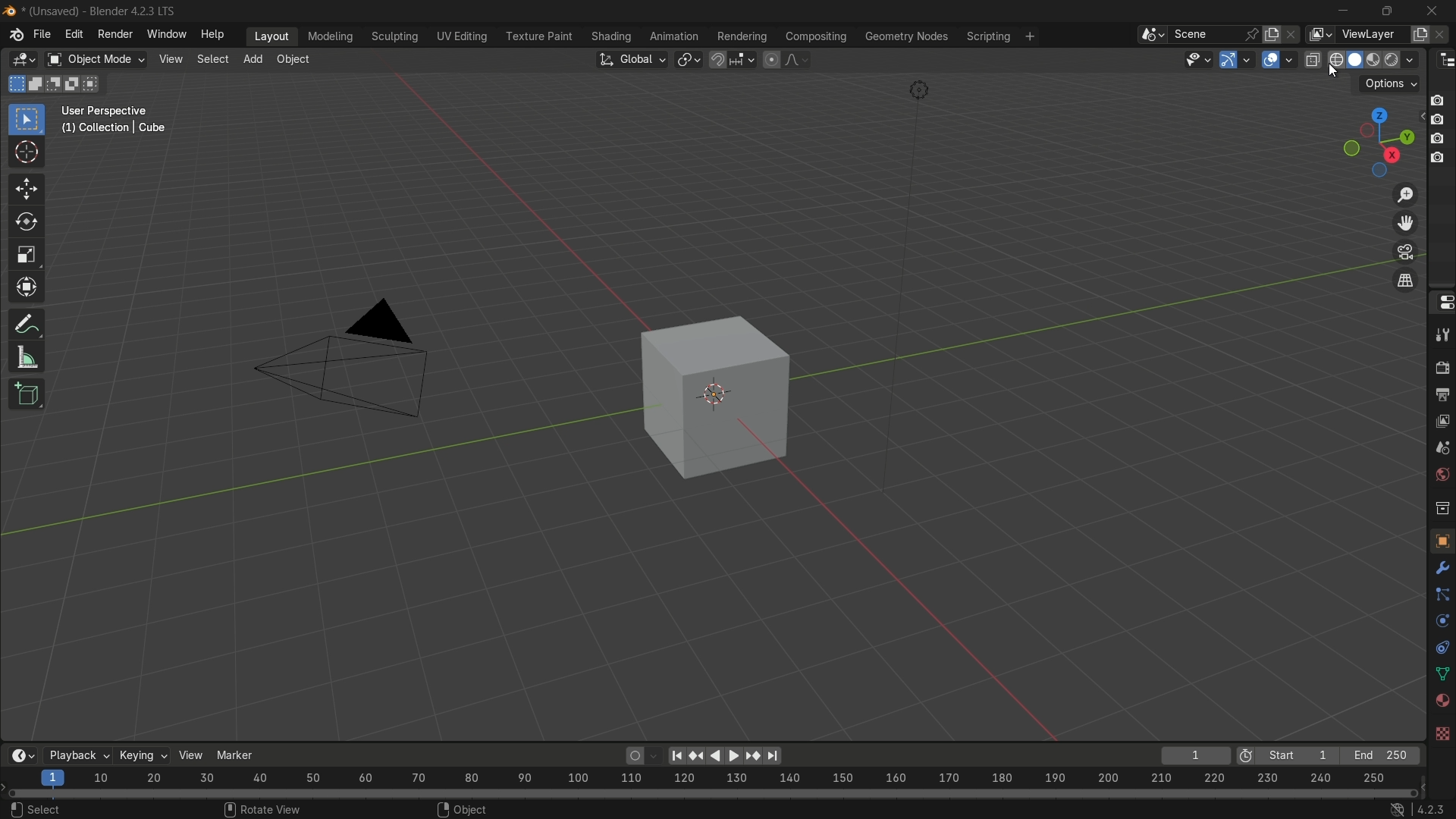 This screenshot has height=819, width=1456. Describe the element at coordinates (360, 365) in the screenshot. I see `camera` at that location.